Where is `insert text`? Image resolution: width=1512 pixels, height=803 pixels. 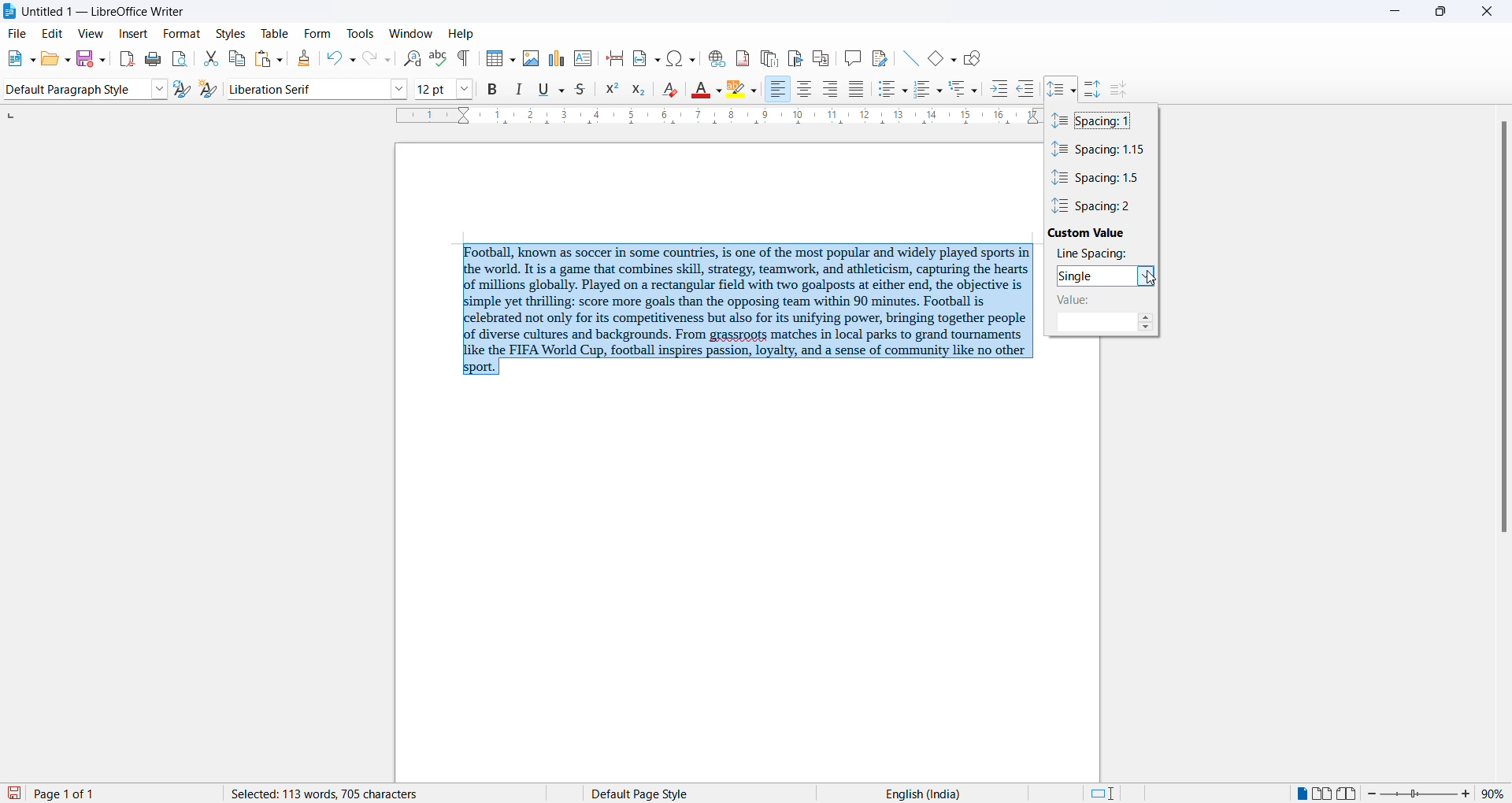
insert text is located at coordinates (584, 58).